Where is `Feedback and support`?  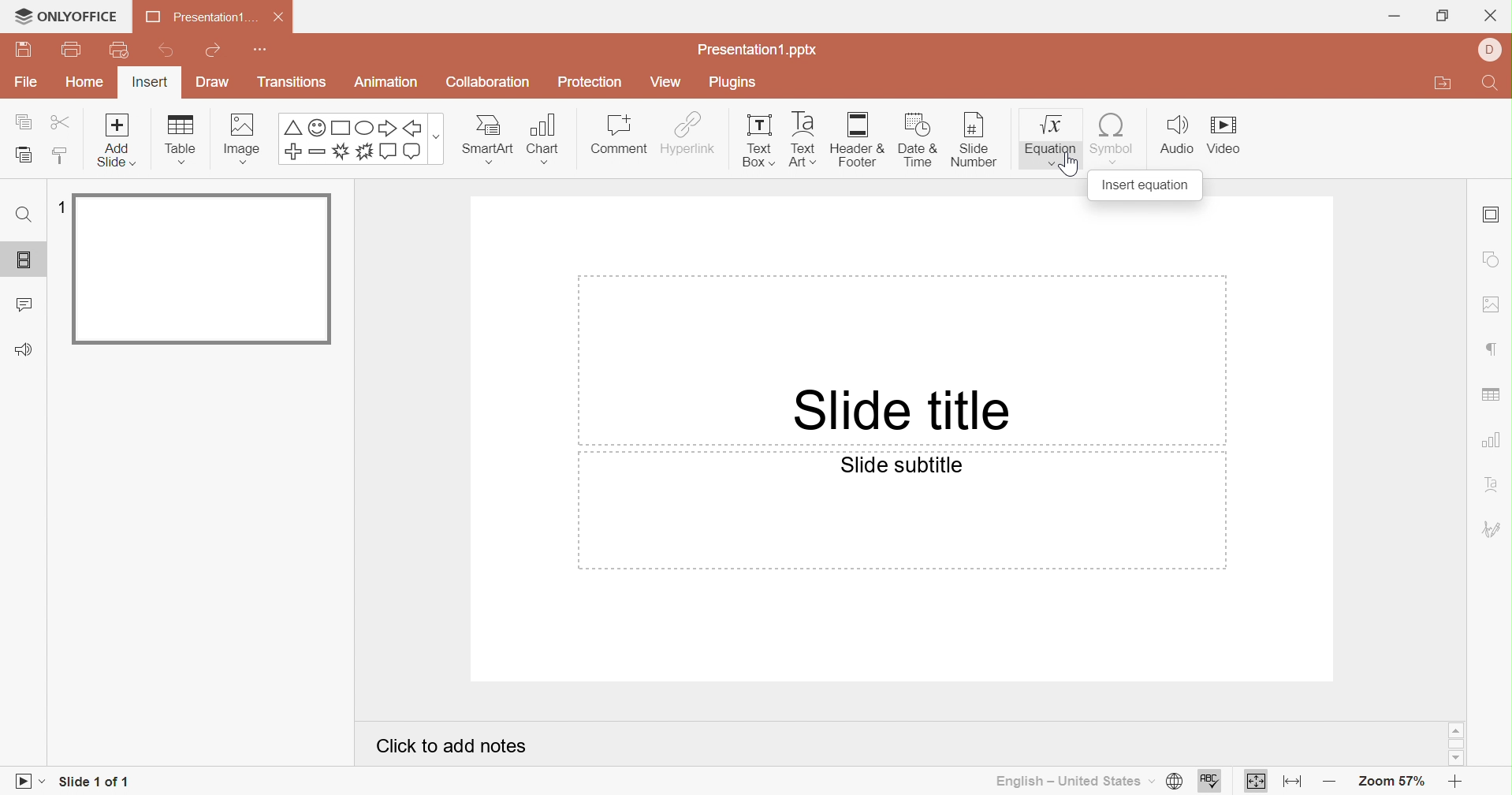
Feedback and support is located at coordinates (27, 349).